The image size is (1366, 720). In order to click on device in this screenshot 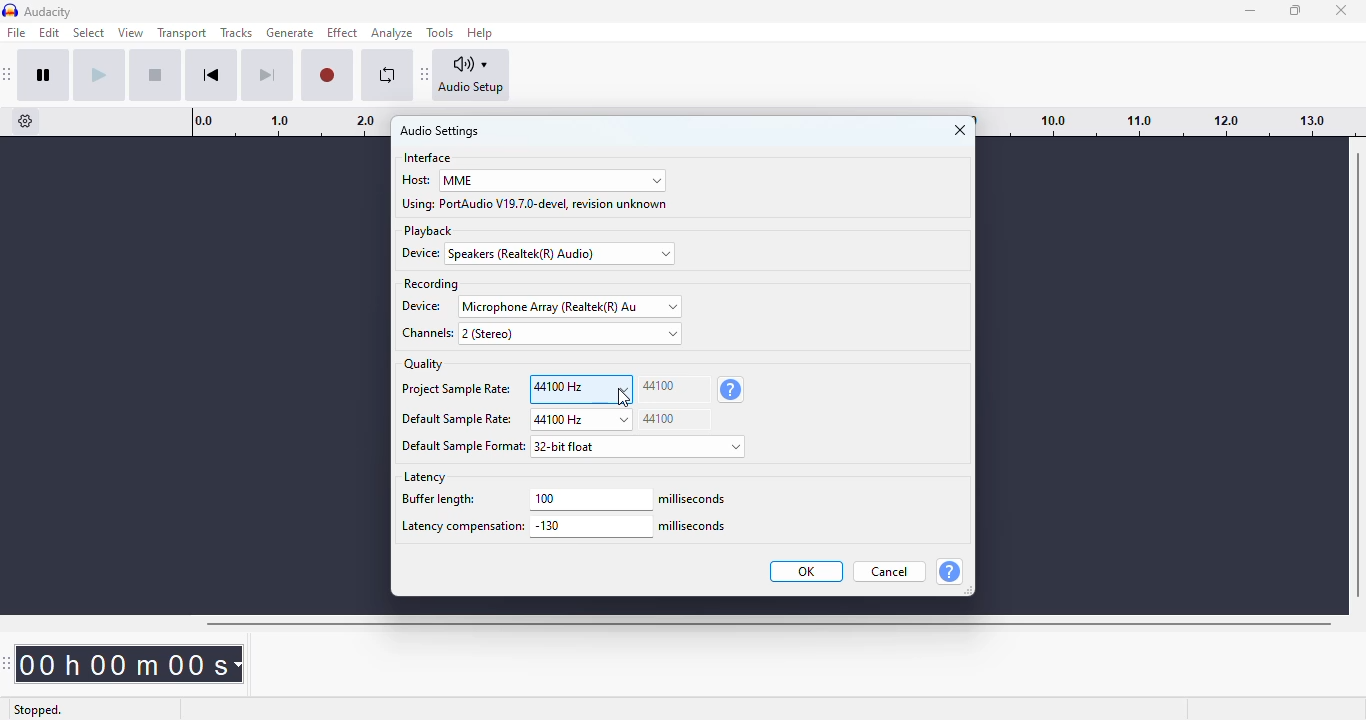, I will do `click(424, 306)`.